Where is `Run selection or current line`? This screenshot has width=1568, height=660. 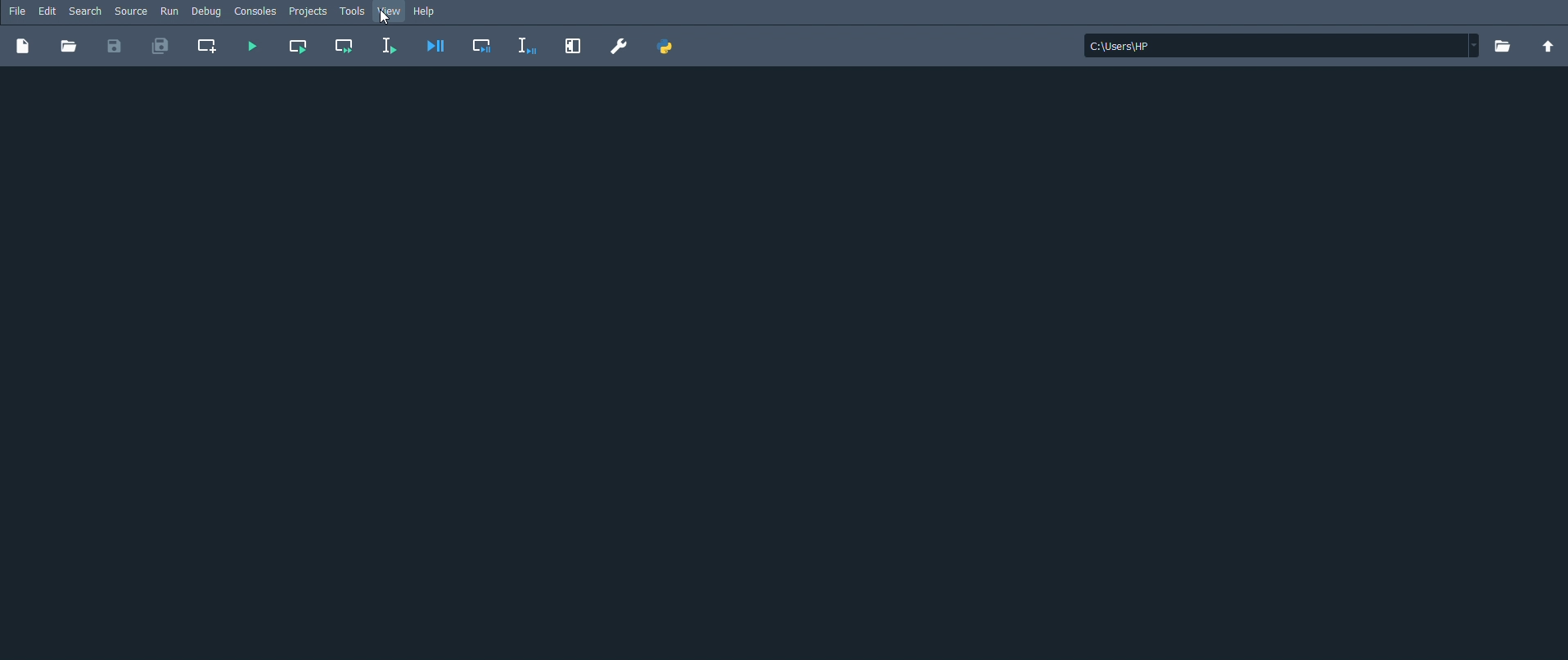
Run selection or current line is located at coordinates (390, 45).